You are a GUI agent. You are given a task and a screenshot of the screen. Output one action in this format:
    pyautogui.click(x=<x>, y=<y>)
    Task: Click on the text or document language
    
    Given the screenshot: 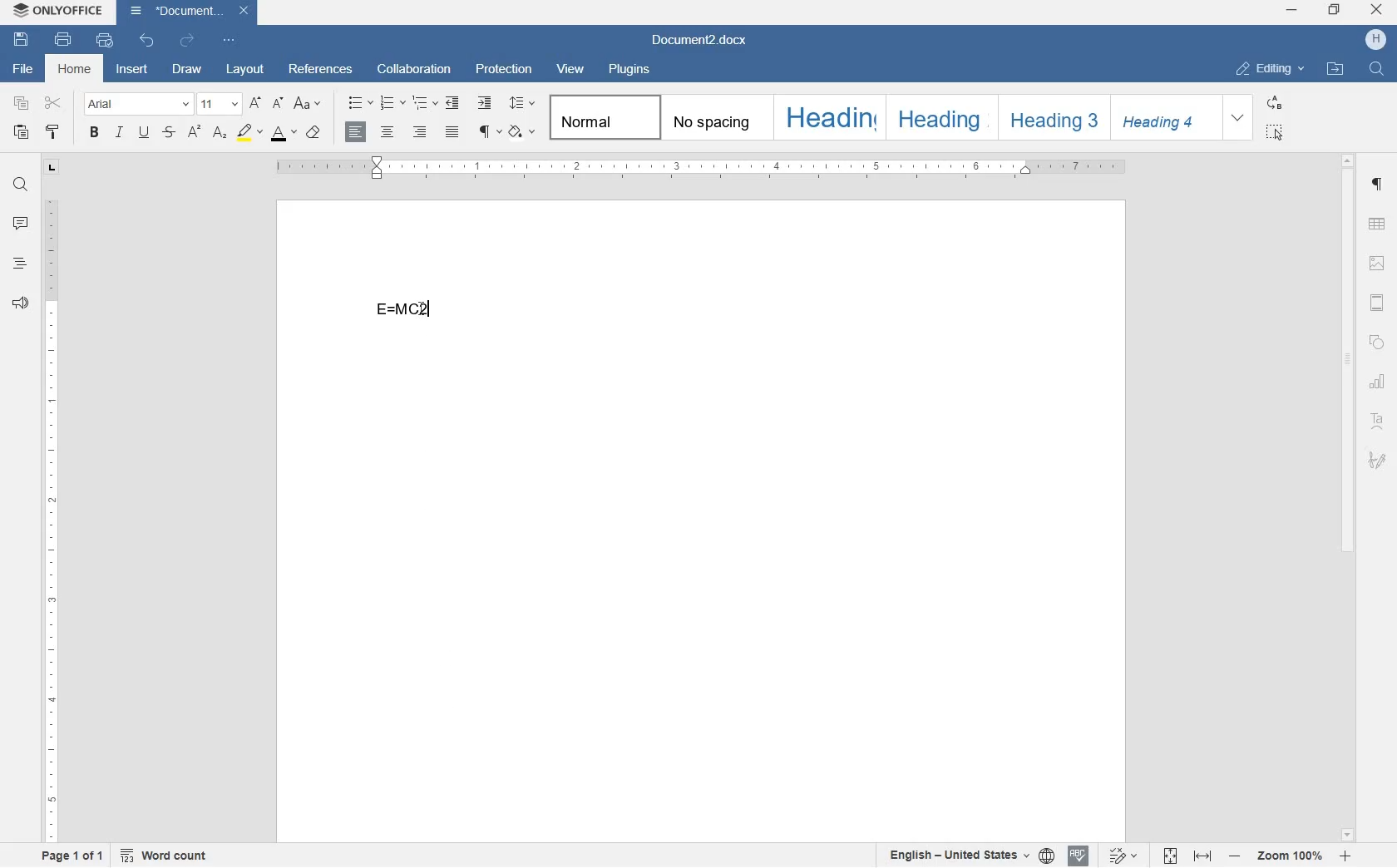 What is the action you would take?
    pyautogui.click(x=972, y=856)
    